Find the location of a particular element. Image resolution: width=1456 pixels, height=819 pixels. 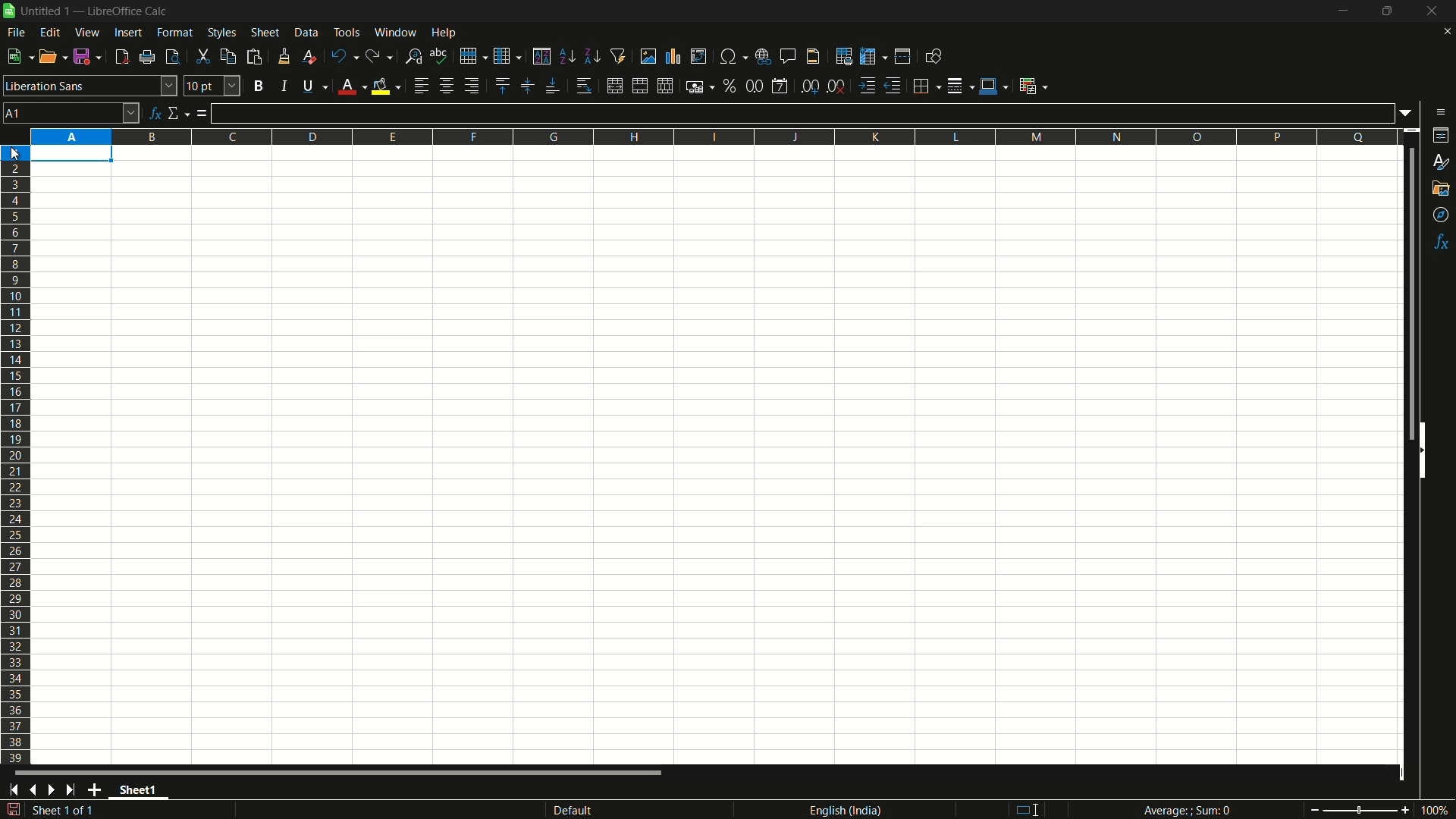

help menu is located at coordinates (445, 33).